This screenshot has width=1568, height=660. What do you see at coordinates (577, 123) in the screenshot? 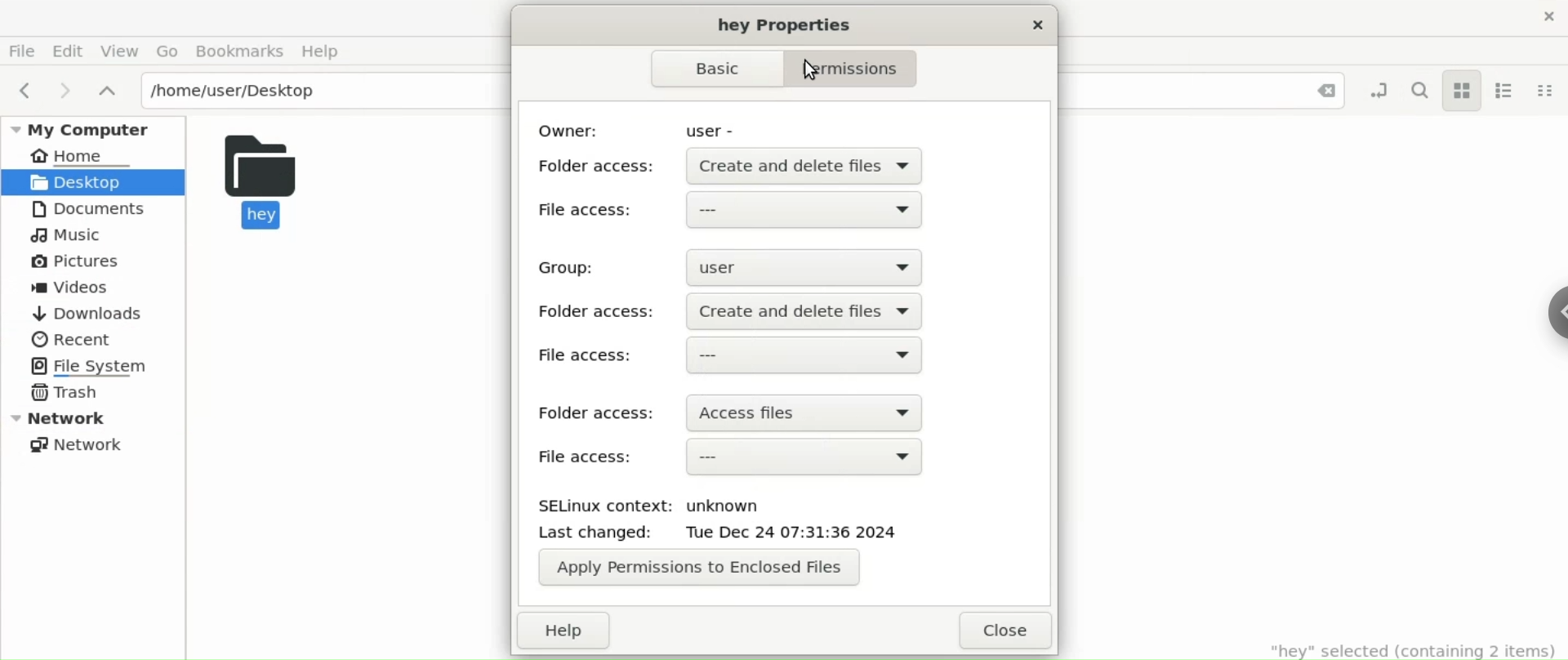
I see `Owner` at bounding box center [577, 123].